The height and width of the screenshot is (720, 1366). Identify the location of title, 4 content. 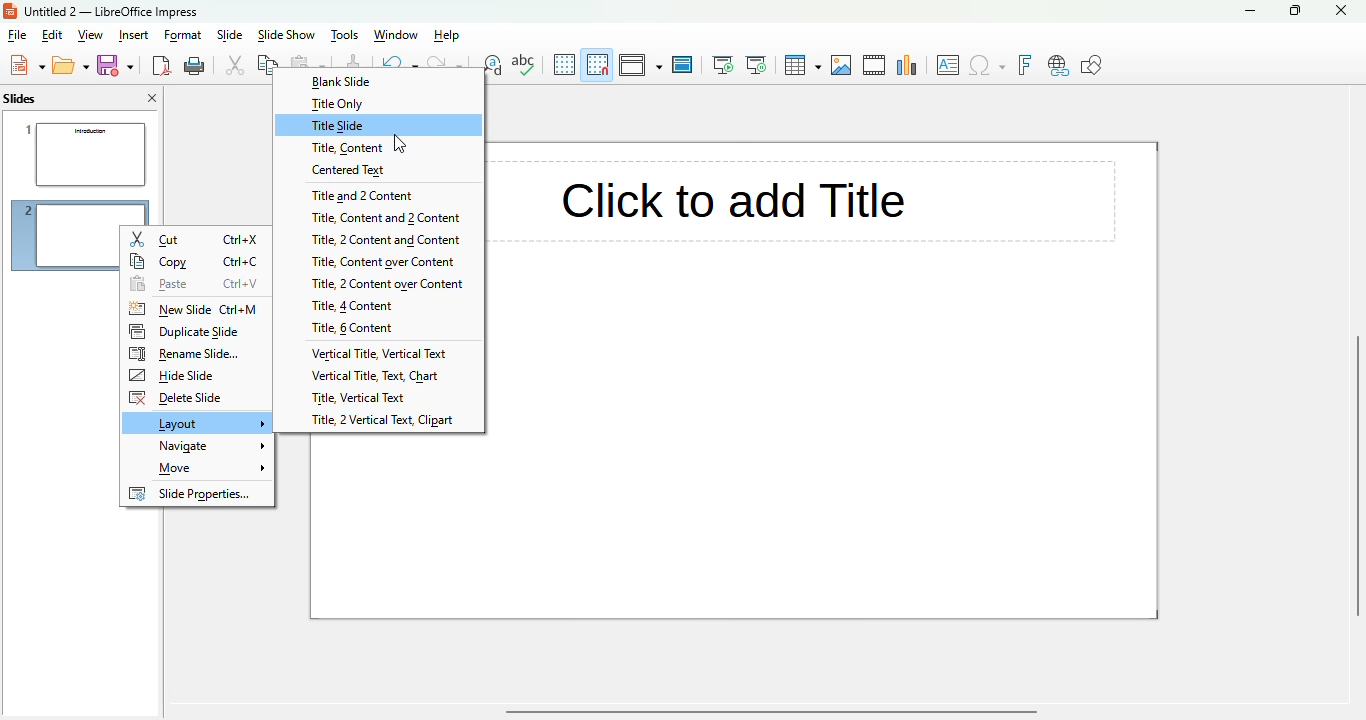
(380, 305).